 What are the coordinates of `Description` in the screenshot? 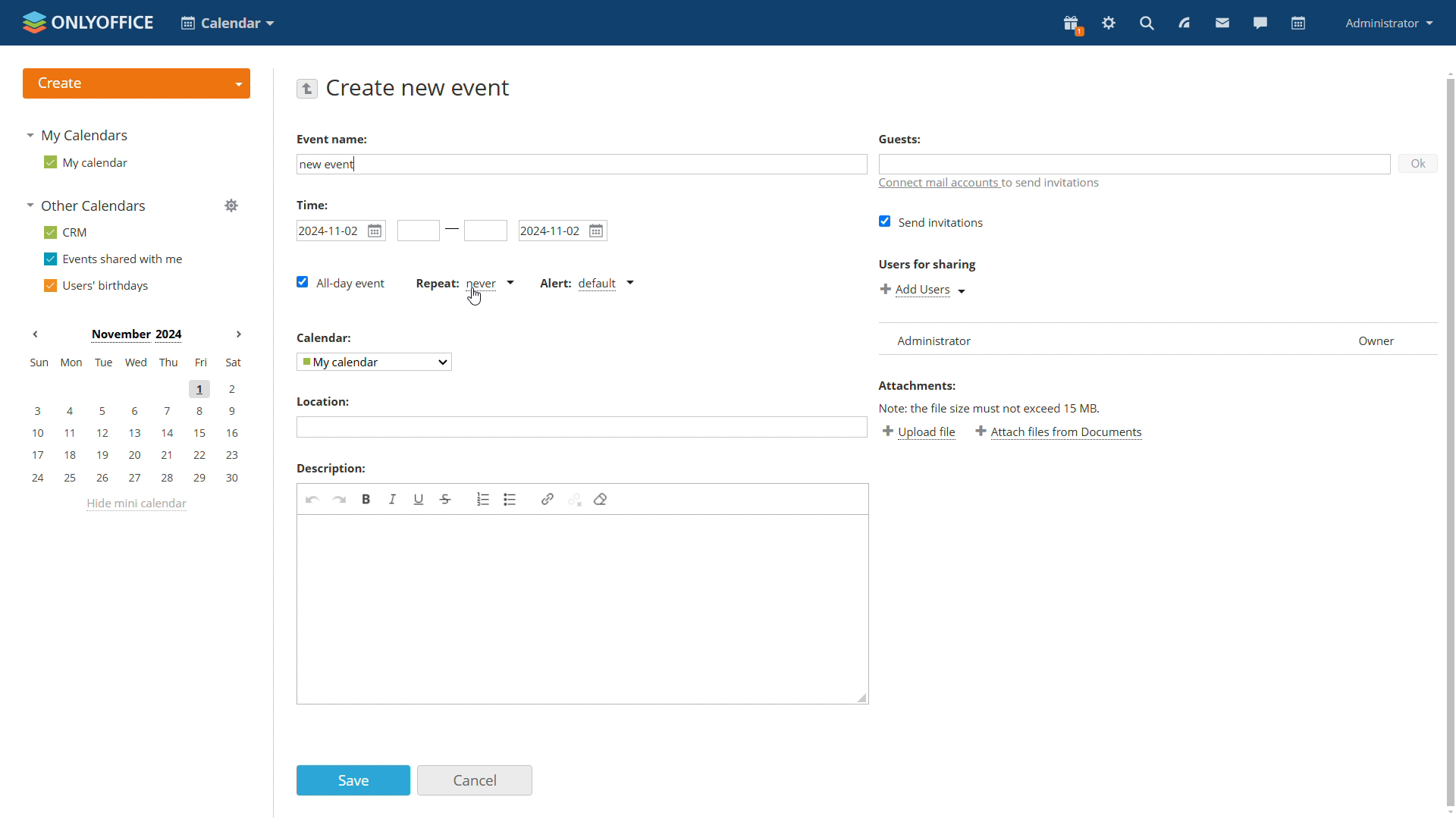 It's located at (329, 468).